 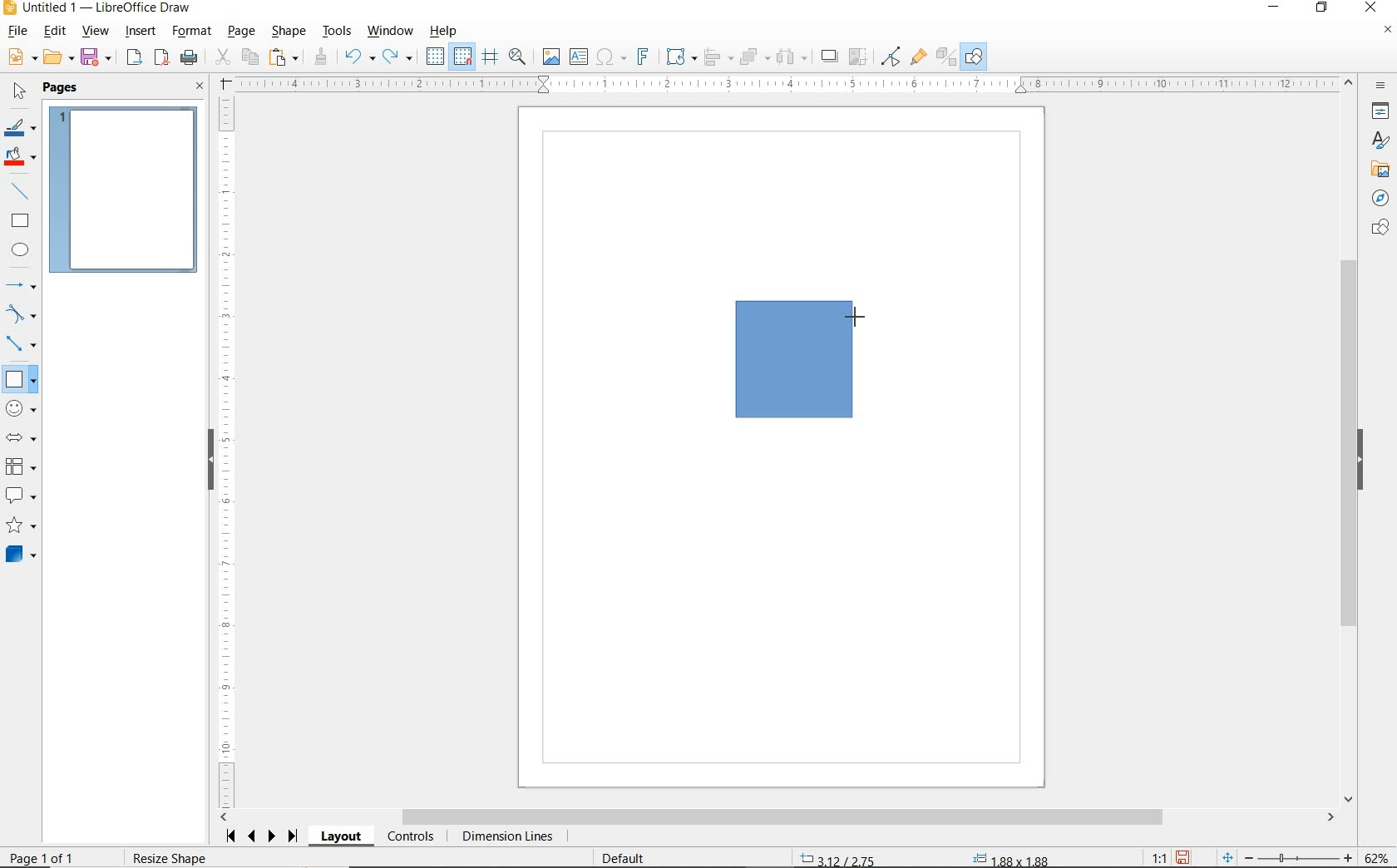 What do you see at coordinates (610, 57) in the screenshot?
I see `INSERT SPECIAL CHARACTERS` at bounding box center [610, 57].